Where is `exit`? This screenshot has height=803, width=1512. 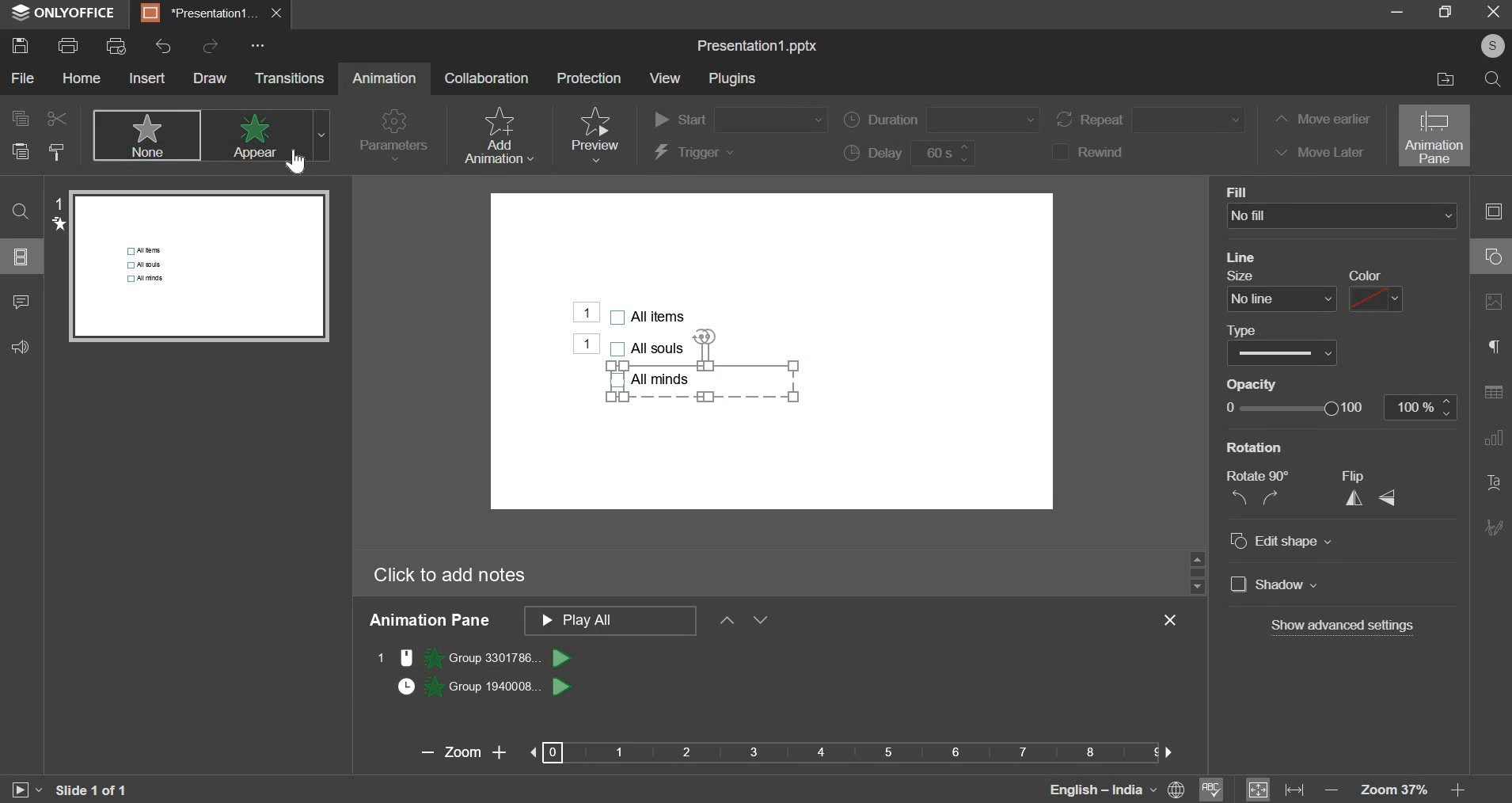 exit is located at coordinates (1175, 620).